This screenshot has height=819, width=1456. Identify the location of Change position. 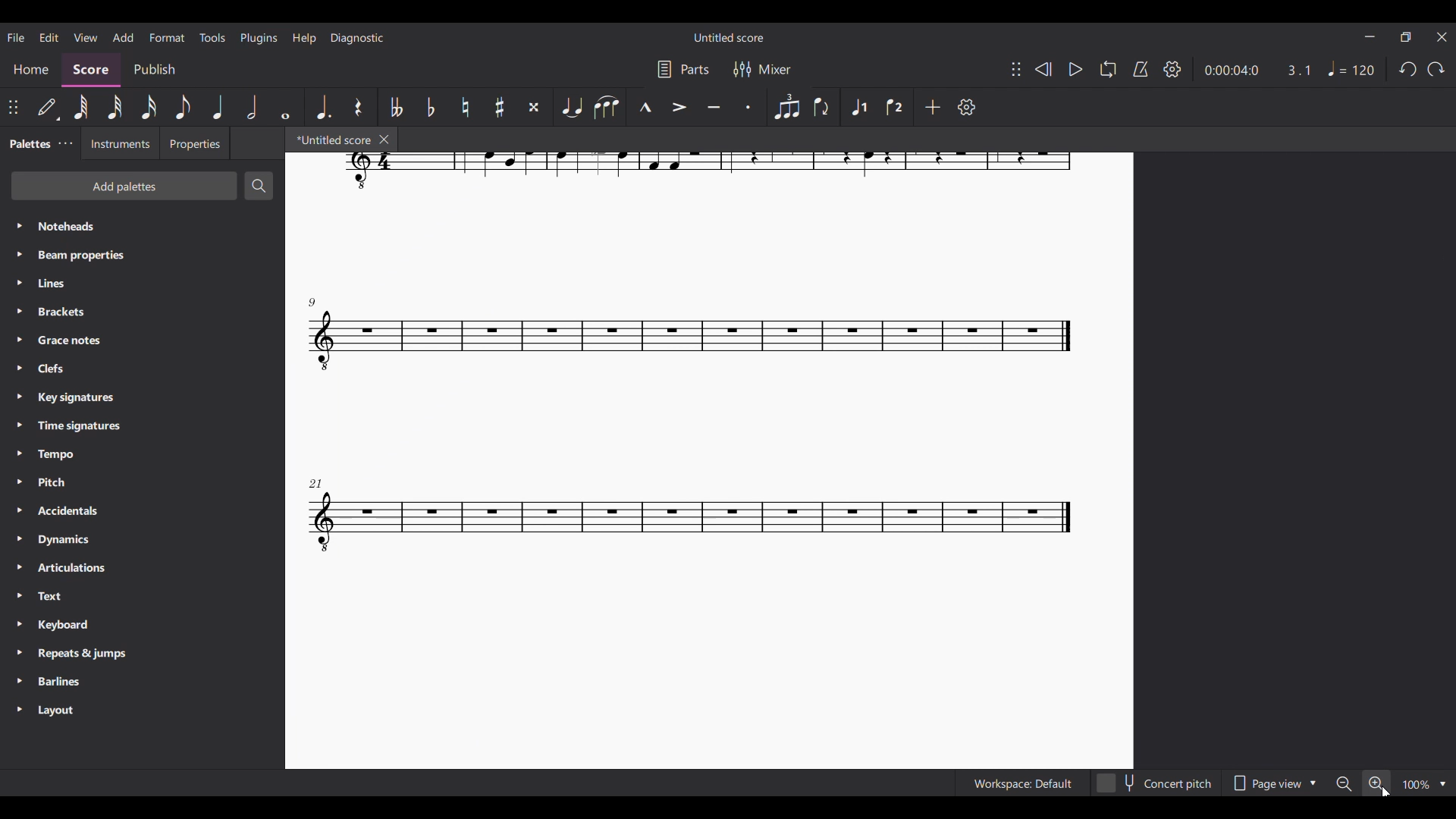
(1016, 69).